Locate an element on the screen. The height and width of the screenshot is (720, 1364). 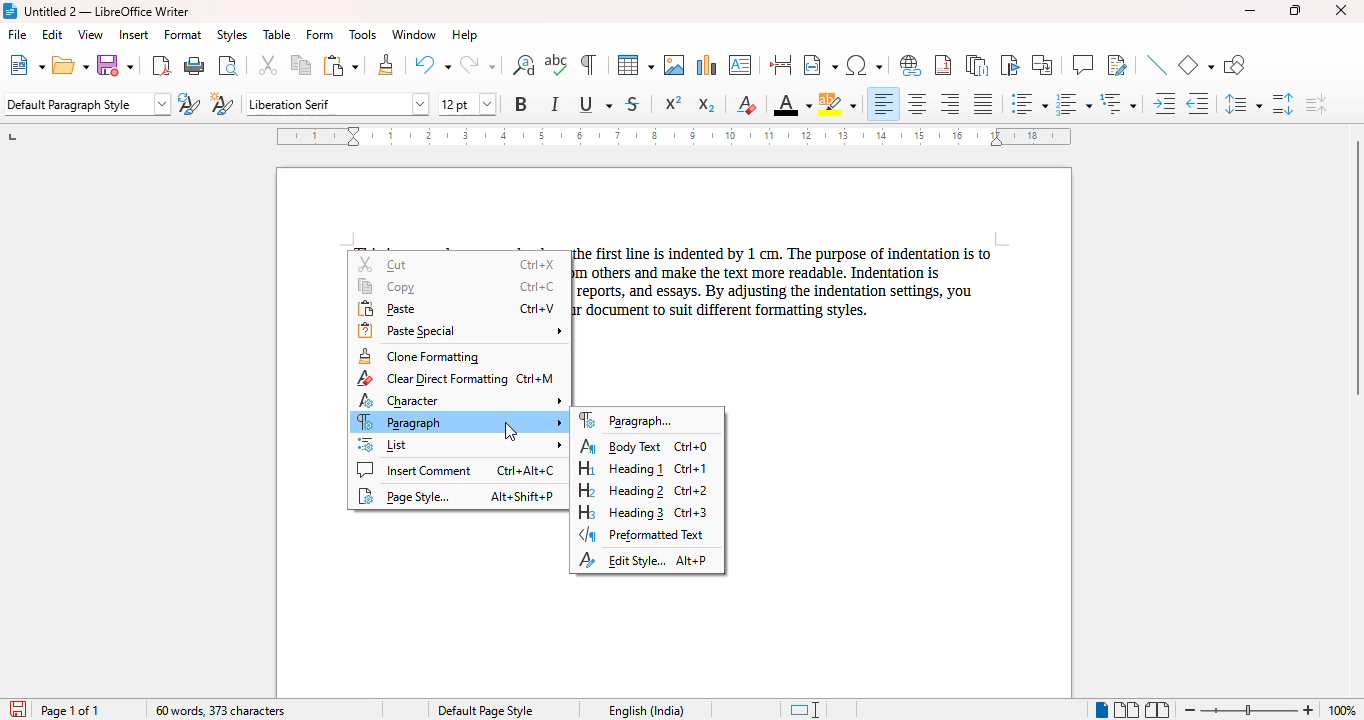
redo is located at coordinates (477, 64).